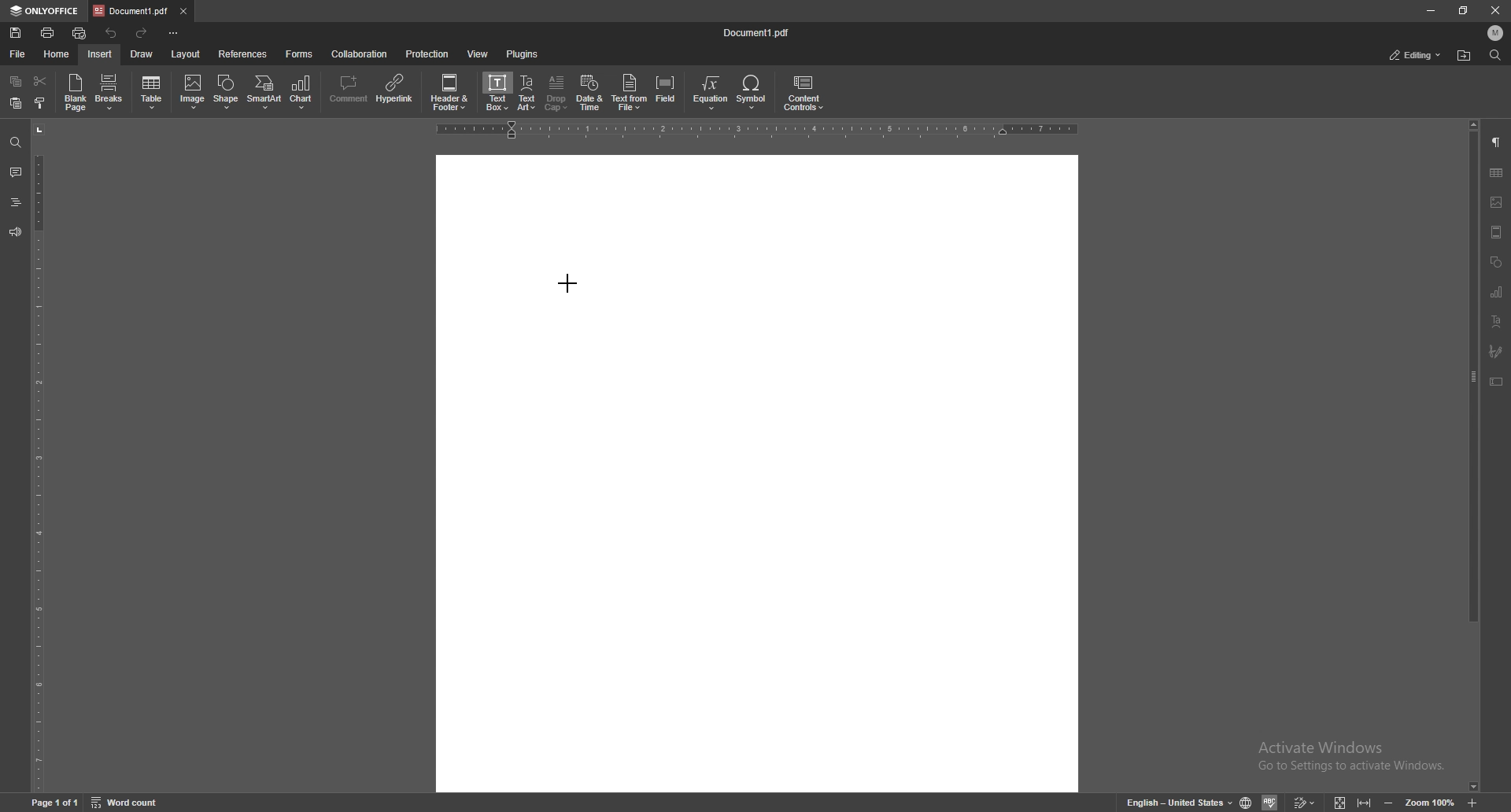 The image size is (1511, 812). What do you see at coordinates (15, 172) in the screenshot?
I see `comment` at bounding box center [15, 172].